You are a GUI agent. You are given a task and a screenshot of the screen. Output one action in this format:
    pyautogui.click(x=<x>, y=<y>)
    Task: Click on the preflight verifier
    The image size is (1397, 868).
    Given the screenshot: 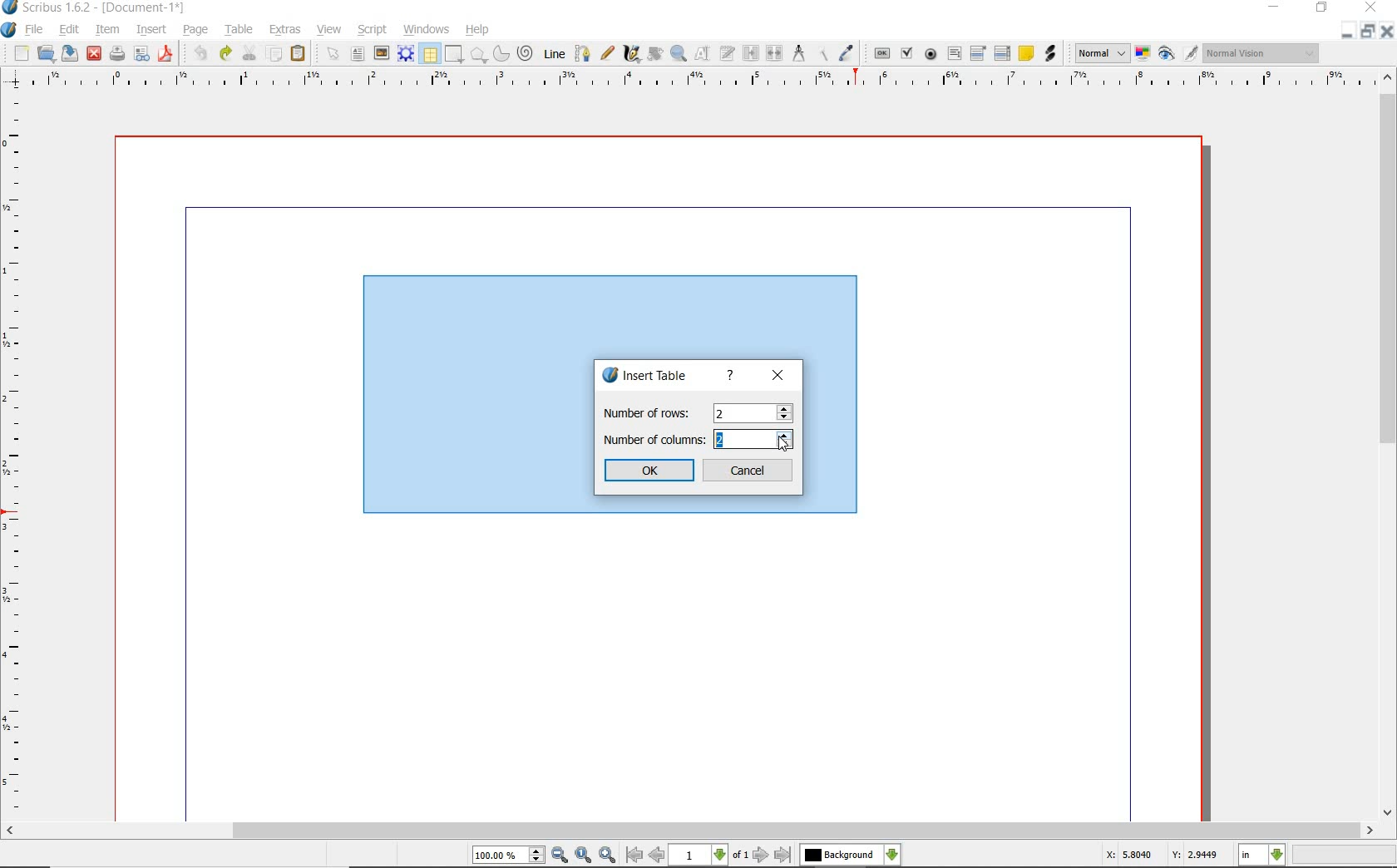 What is the action you would take?
    pyautogui.click(x=141, y=55)
    